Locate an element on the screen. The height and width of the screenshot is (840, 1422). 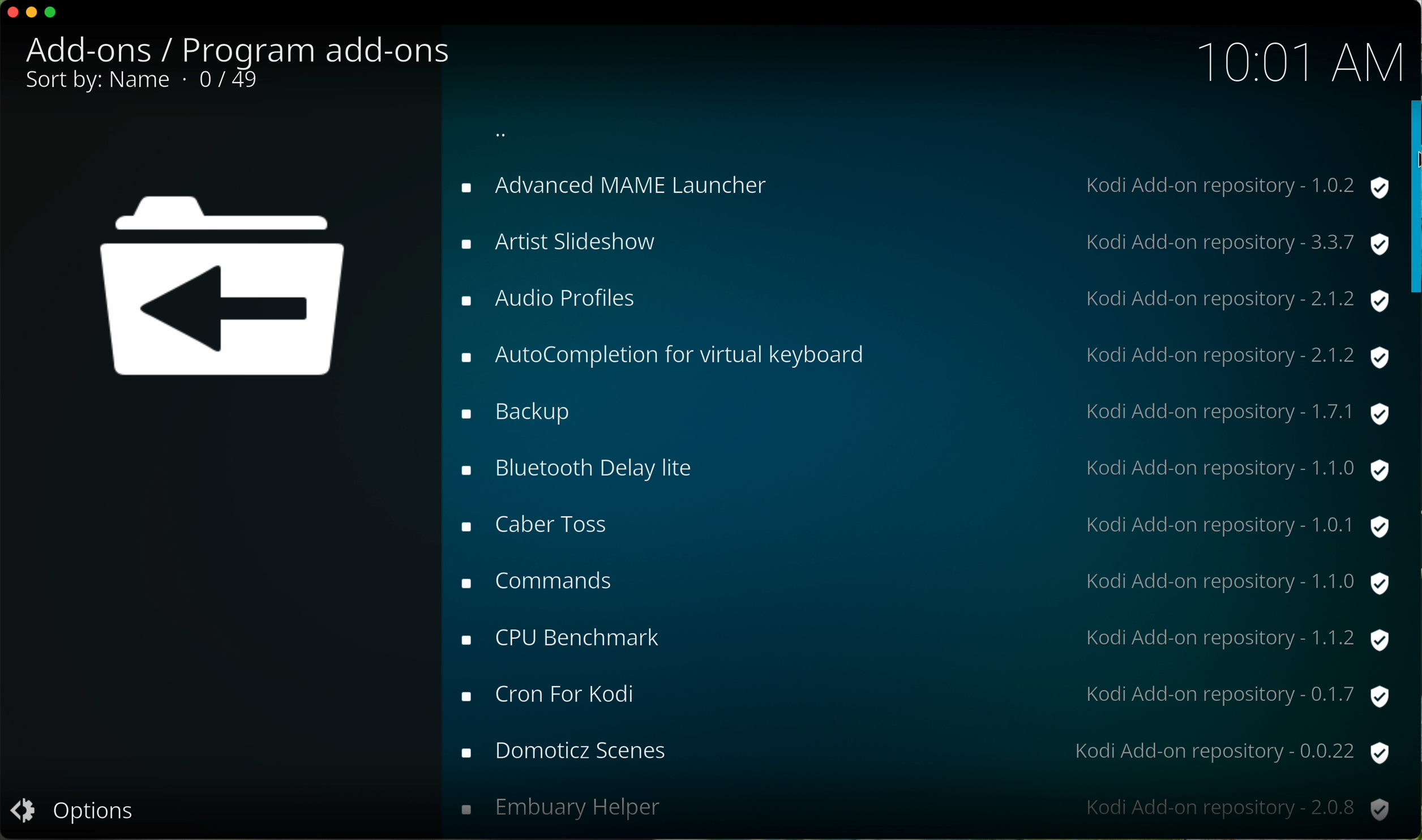
caber toss is located at coordinates (918, 524).